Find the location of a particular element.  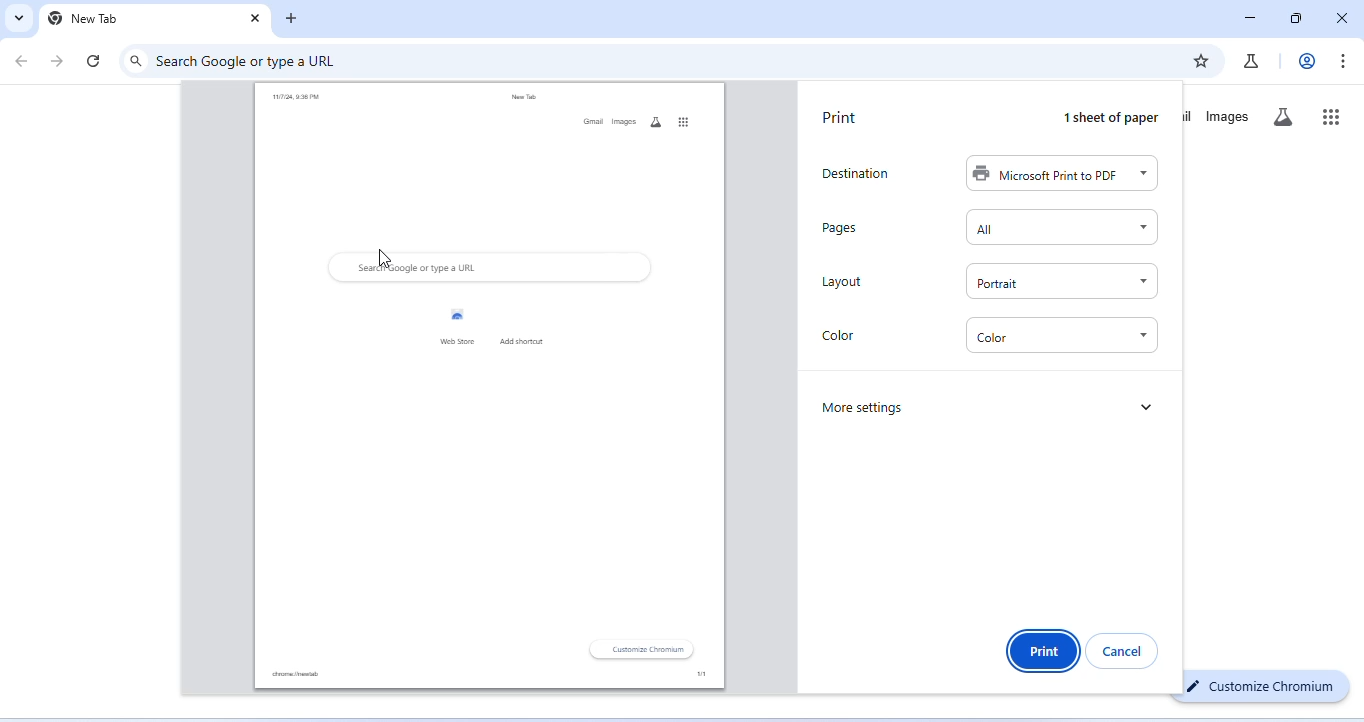

images is located at coordinates (1229, 117).